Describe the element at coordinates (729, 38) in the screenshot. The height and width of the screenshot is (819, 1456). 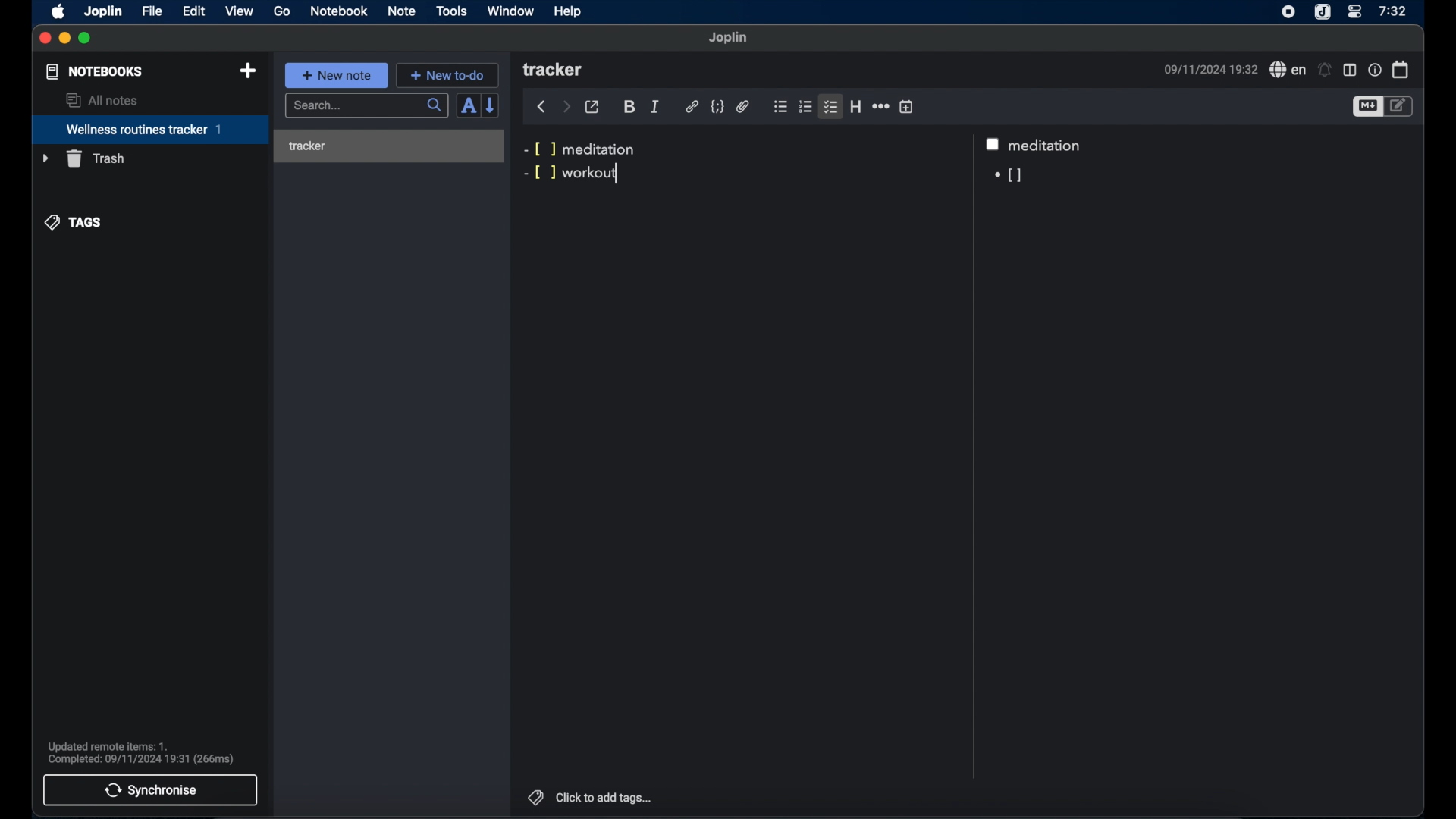
I see `joplin` at that location.